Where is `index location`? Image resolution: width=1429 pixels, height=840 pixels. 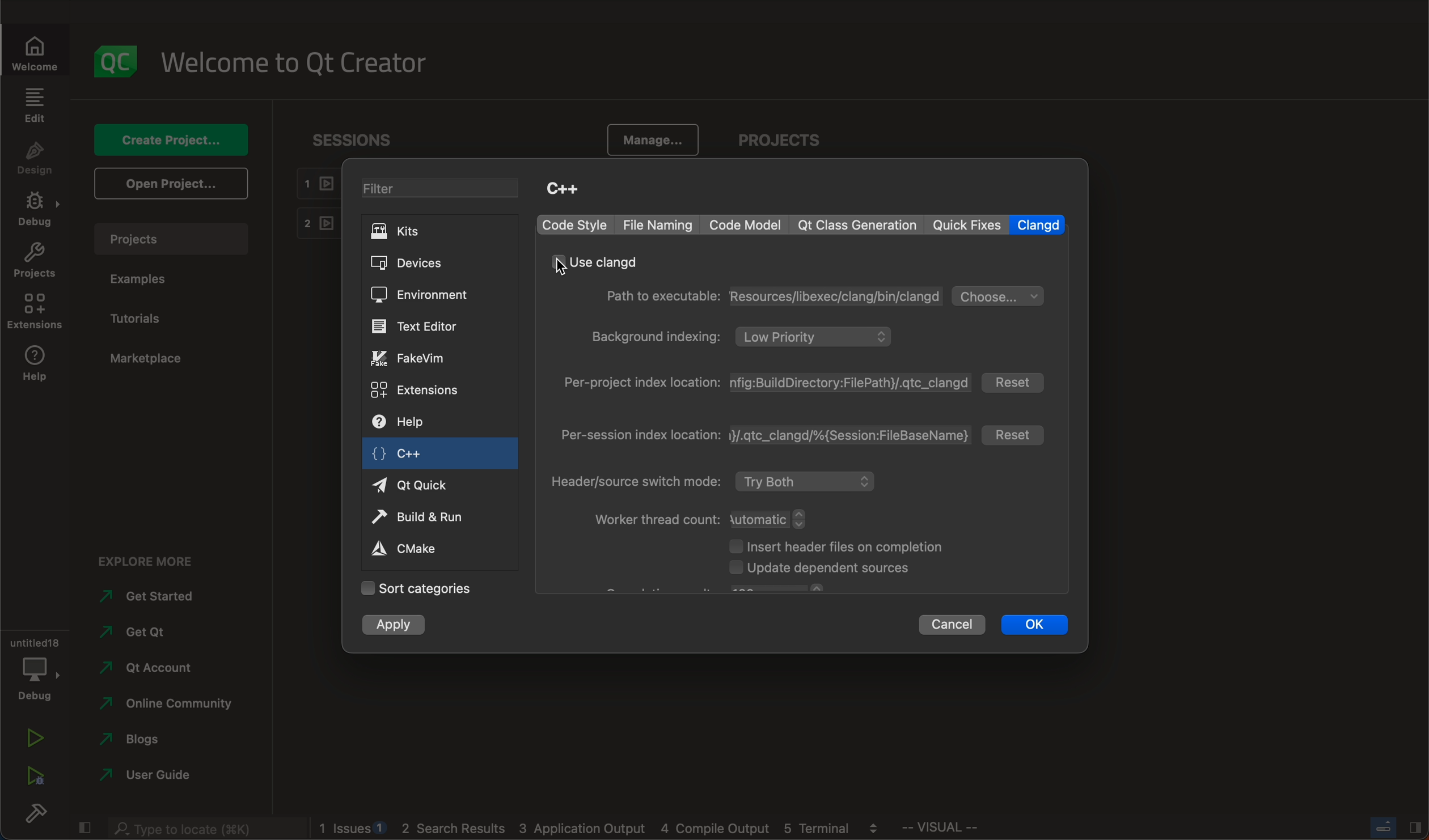 index location is located at coordinates (764, 437).